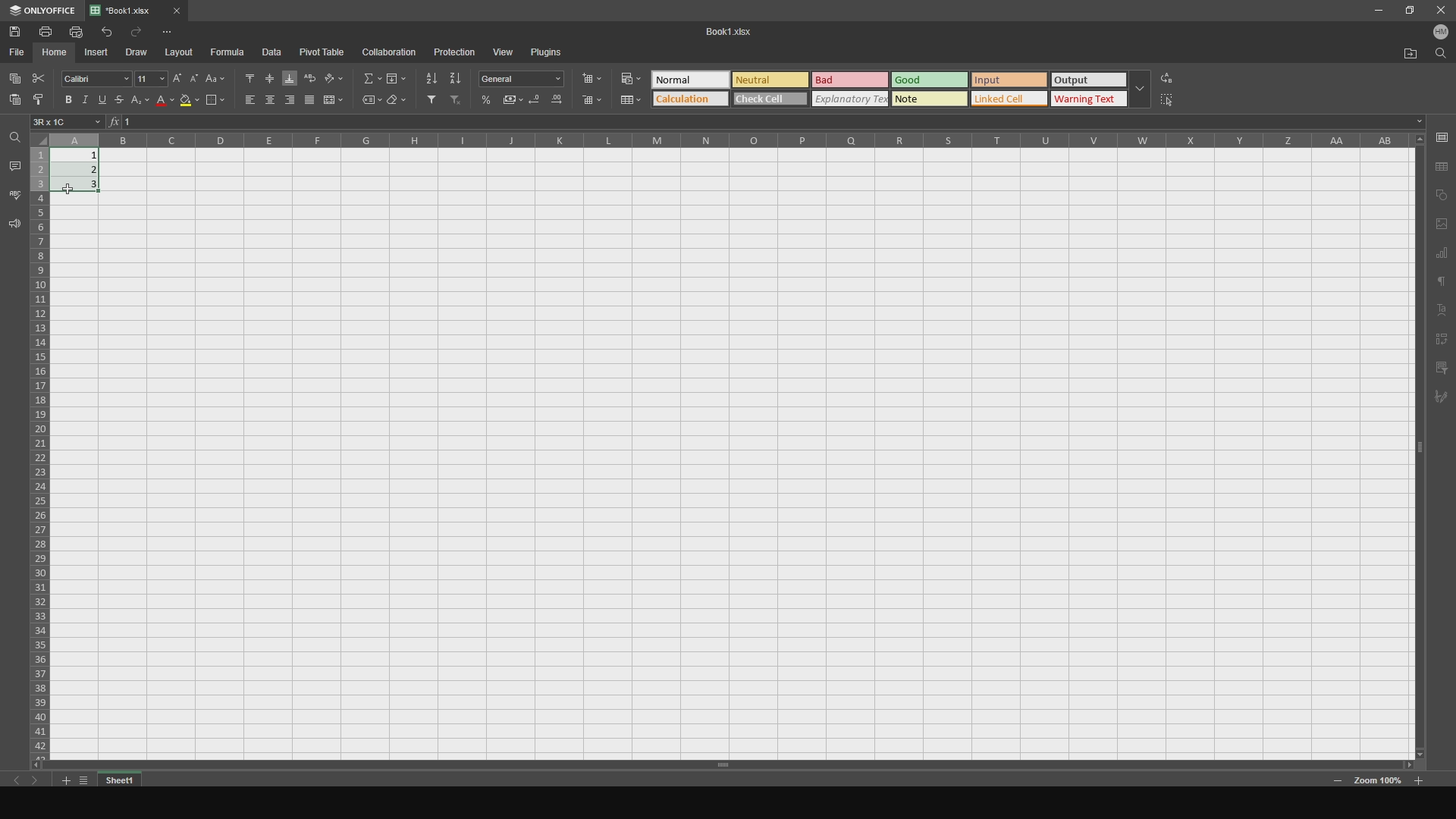 Image resolution: width=1456 pixels, height=819 pixels. Describe the element at coordinates (1404, 54) in the screenshot. I see `open file location` at that location.